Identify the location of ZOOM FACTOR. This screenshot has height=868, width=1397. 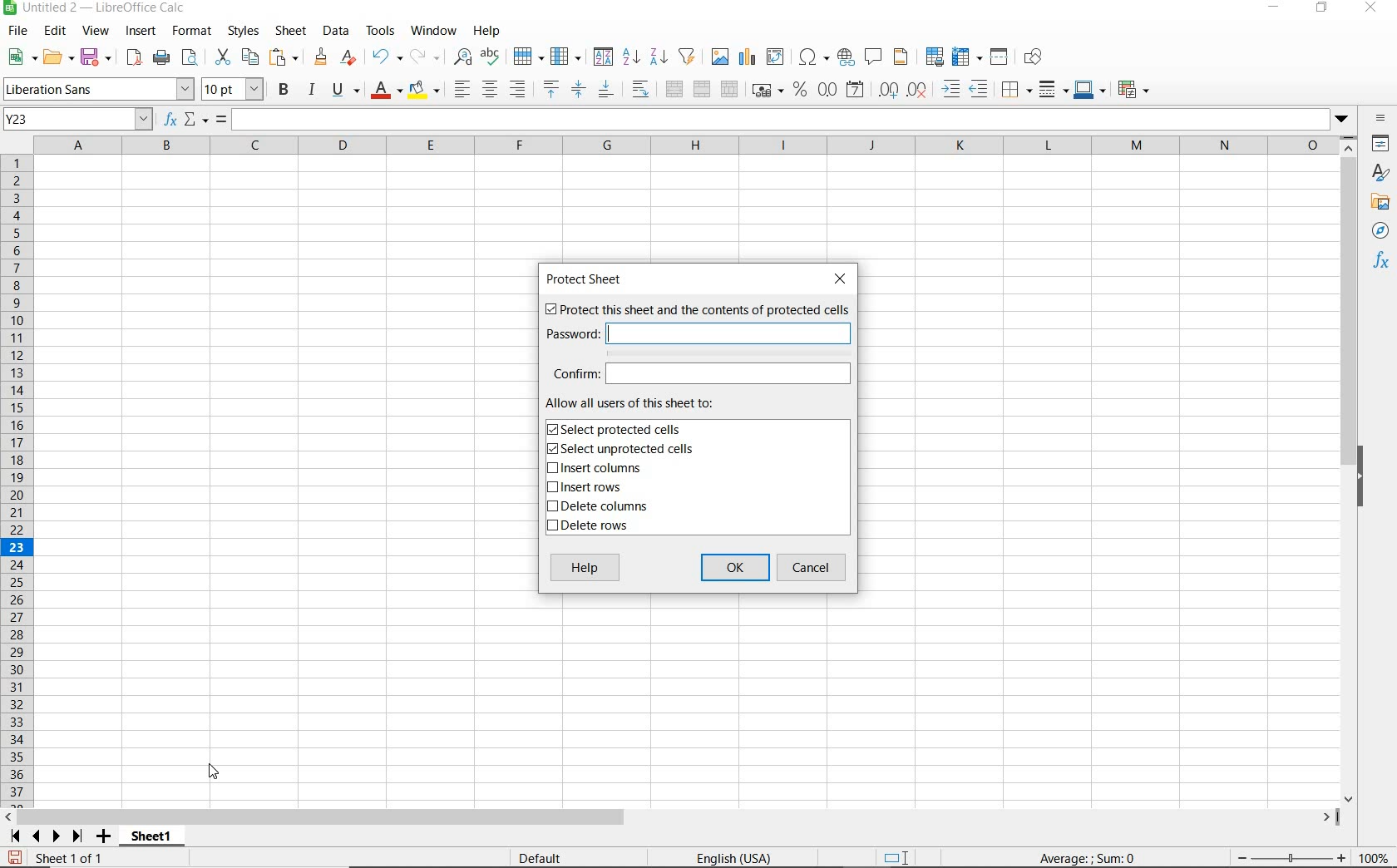
(1375, 859).